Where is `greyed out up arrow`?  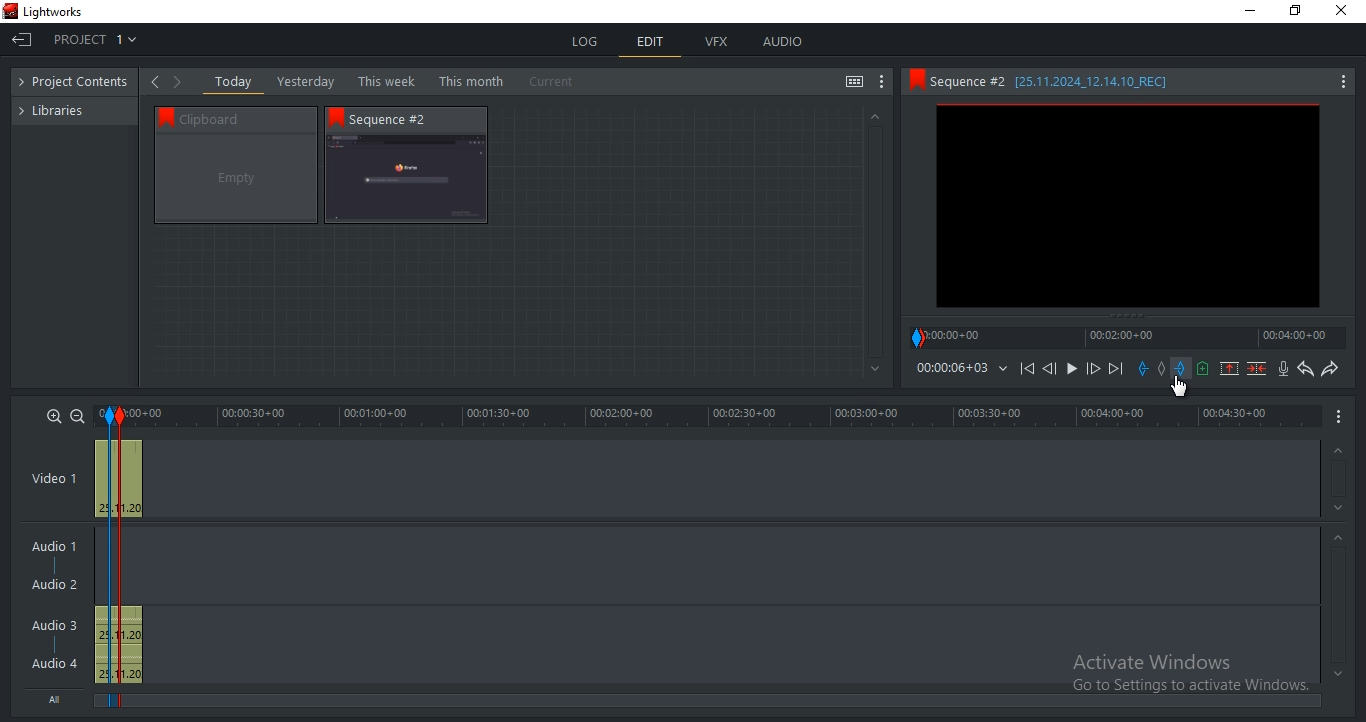
greyed out up arrow is located at coordinates (873, 115).